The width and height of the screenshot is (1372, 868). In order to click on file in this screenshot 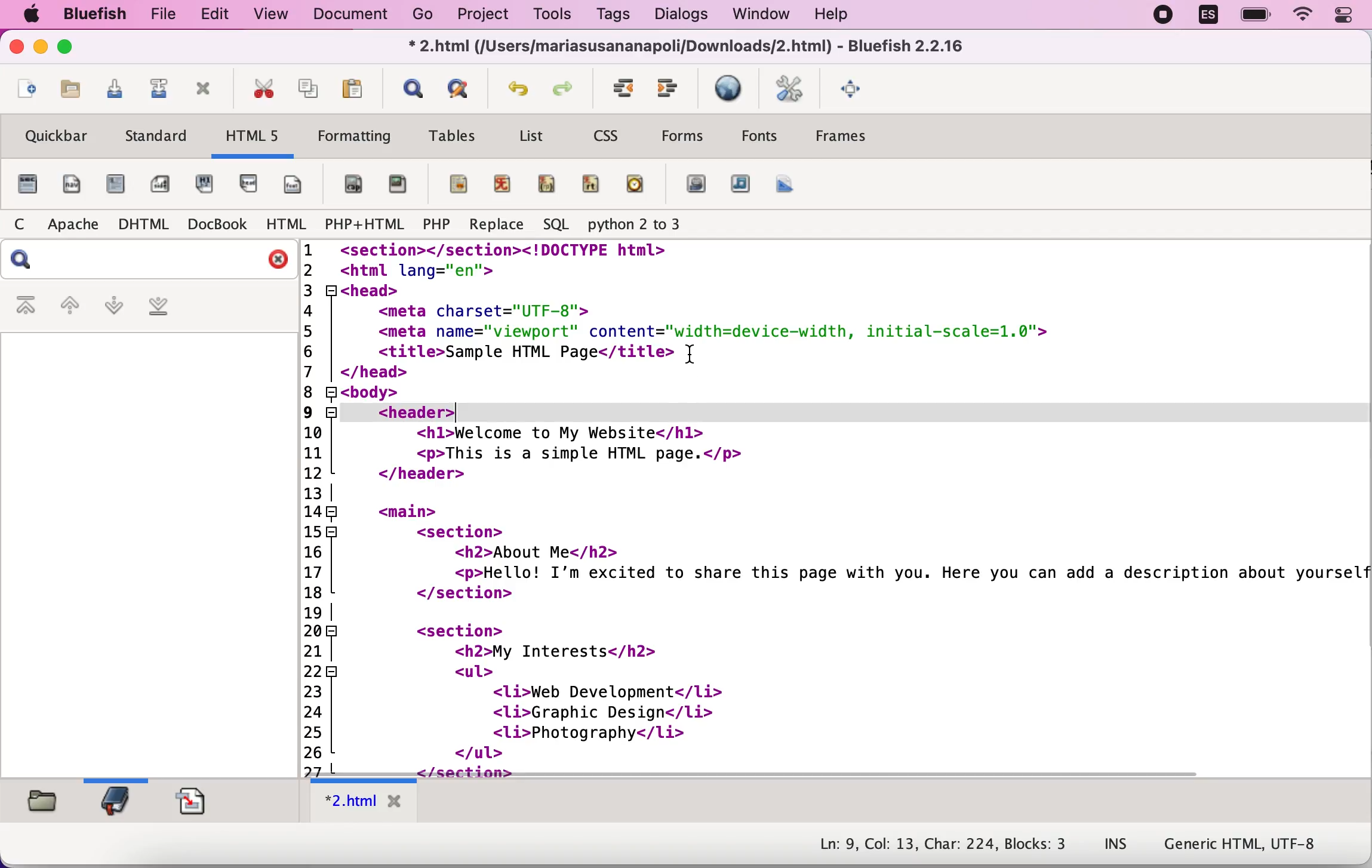, I will do `click(27, 184)`.